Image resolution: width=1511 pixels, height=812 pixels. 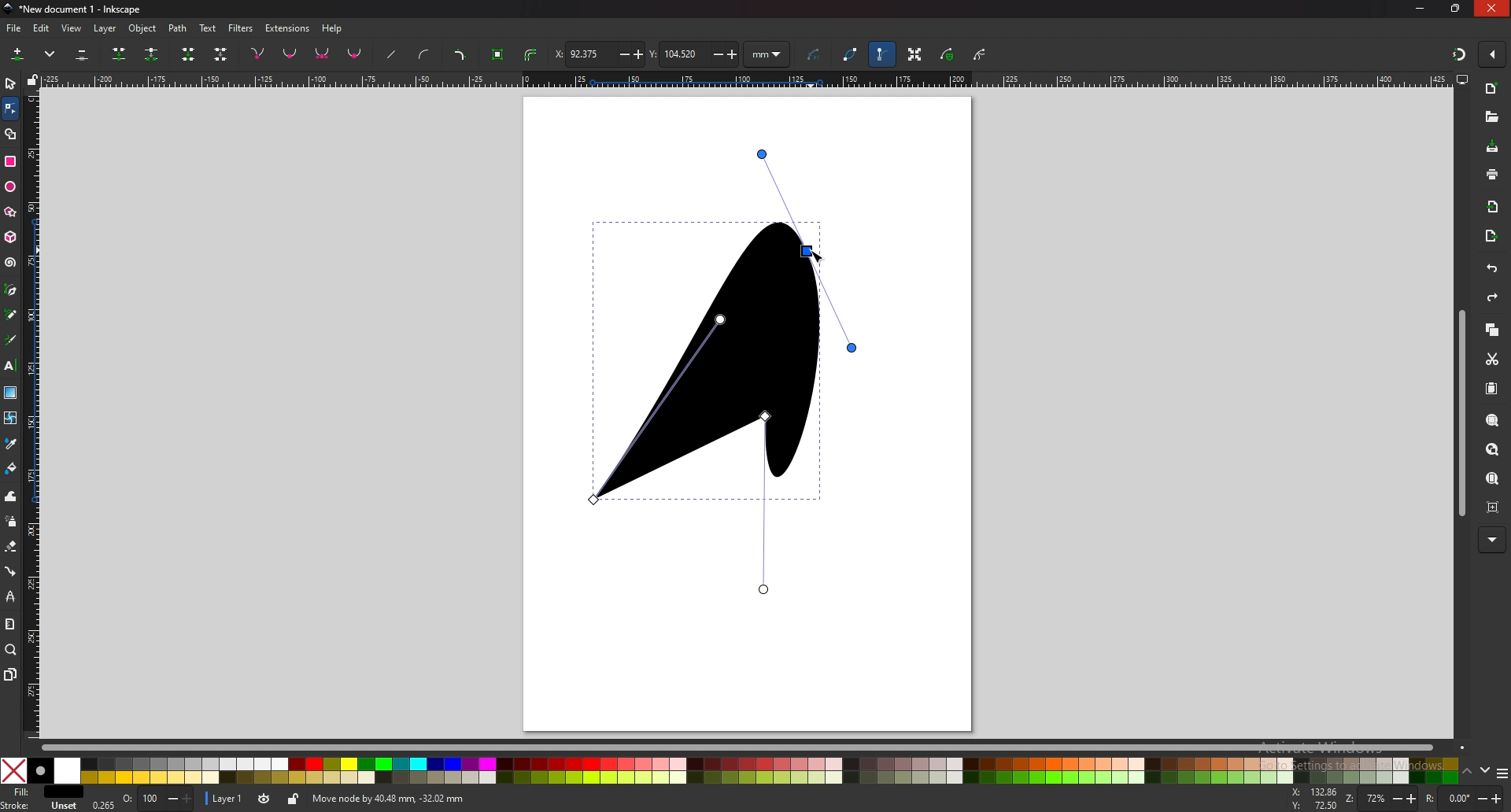 I want to click on star, so click(x=12, y=213).